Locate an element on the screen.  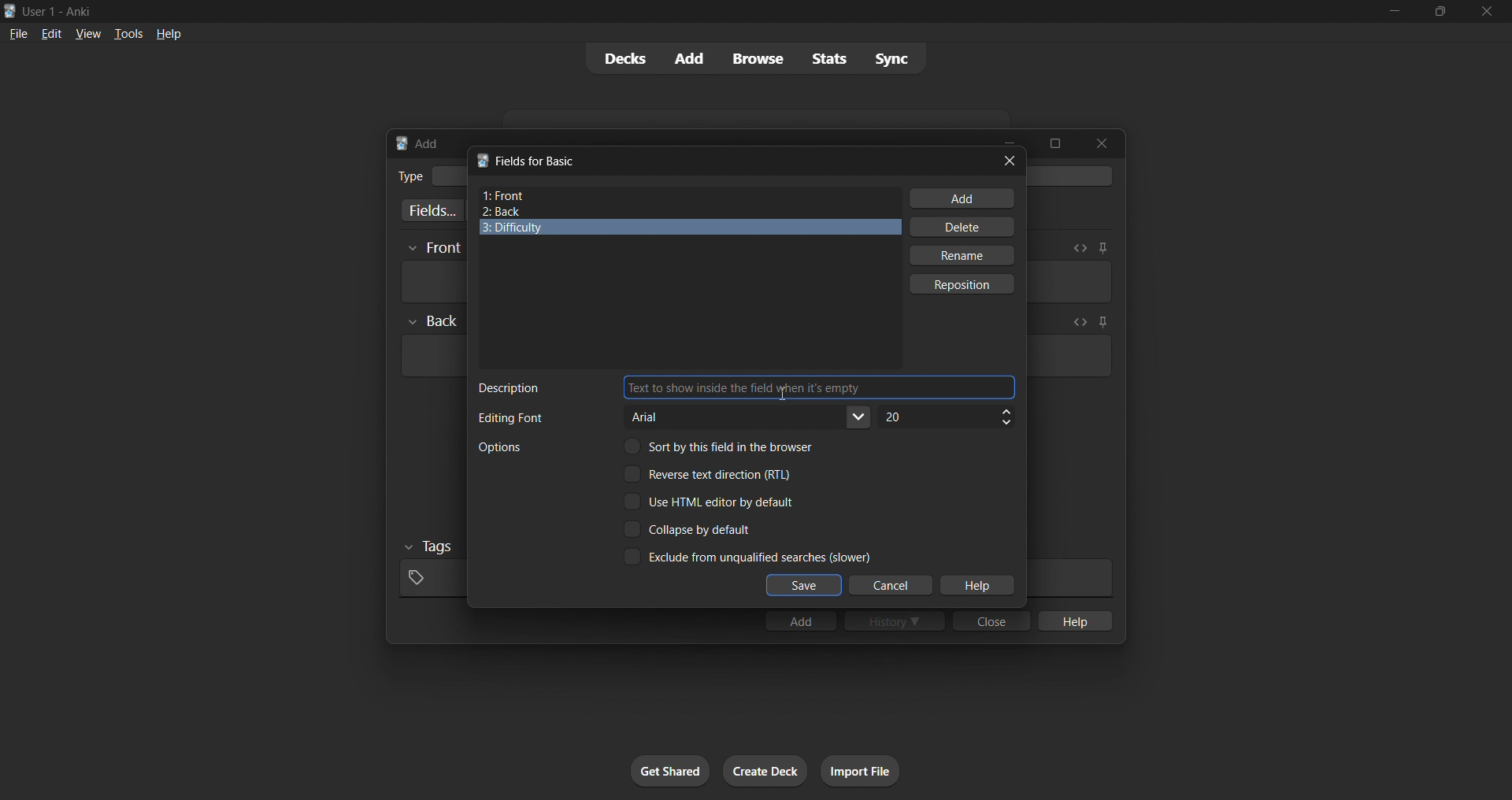
Toggle is located at coordinates (724, 446).